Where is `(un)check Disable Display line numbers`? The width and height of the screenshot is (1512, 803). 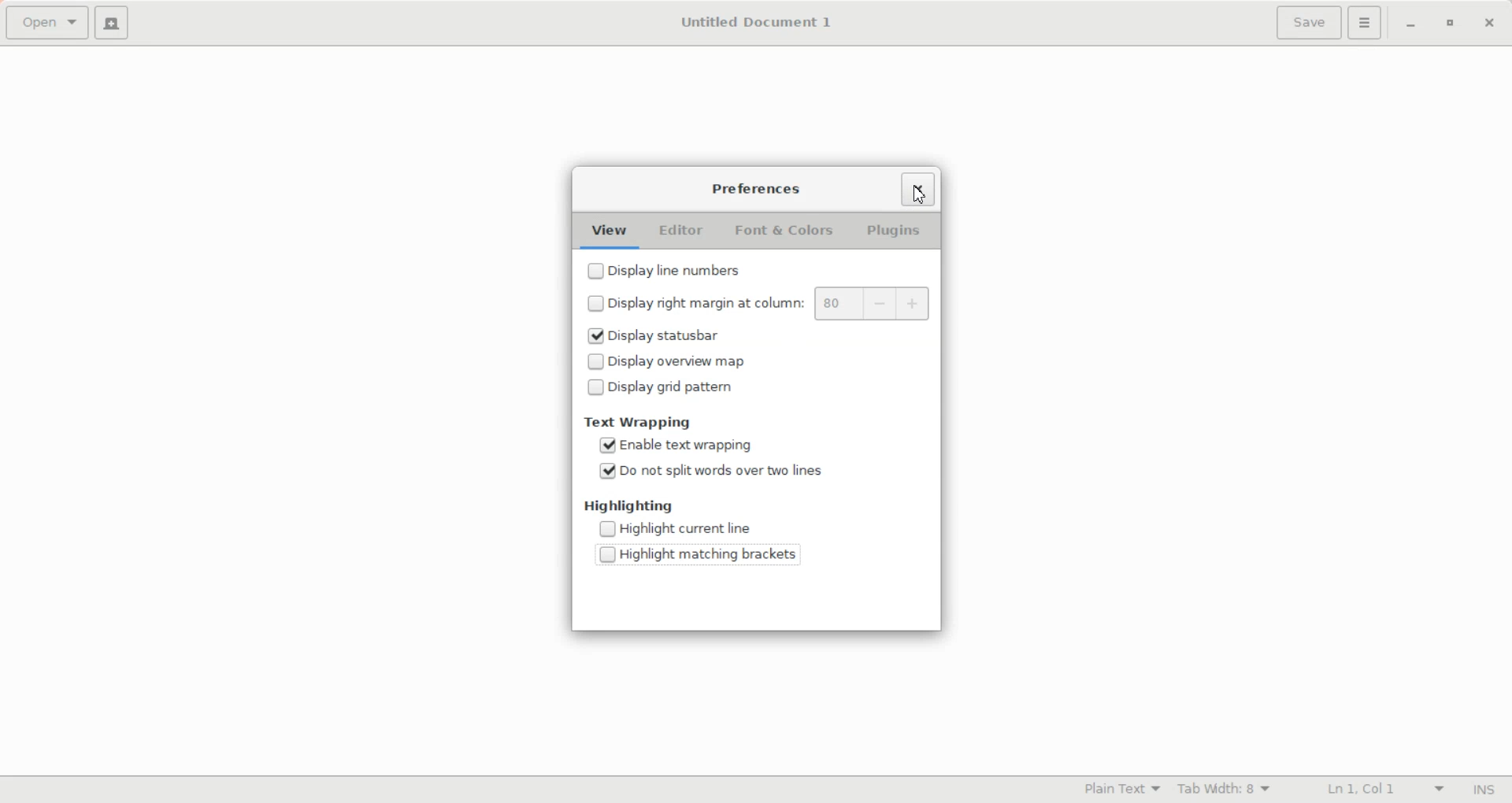 (un)check Disable Display line numbers is located at coordinates (705, 268).